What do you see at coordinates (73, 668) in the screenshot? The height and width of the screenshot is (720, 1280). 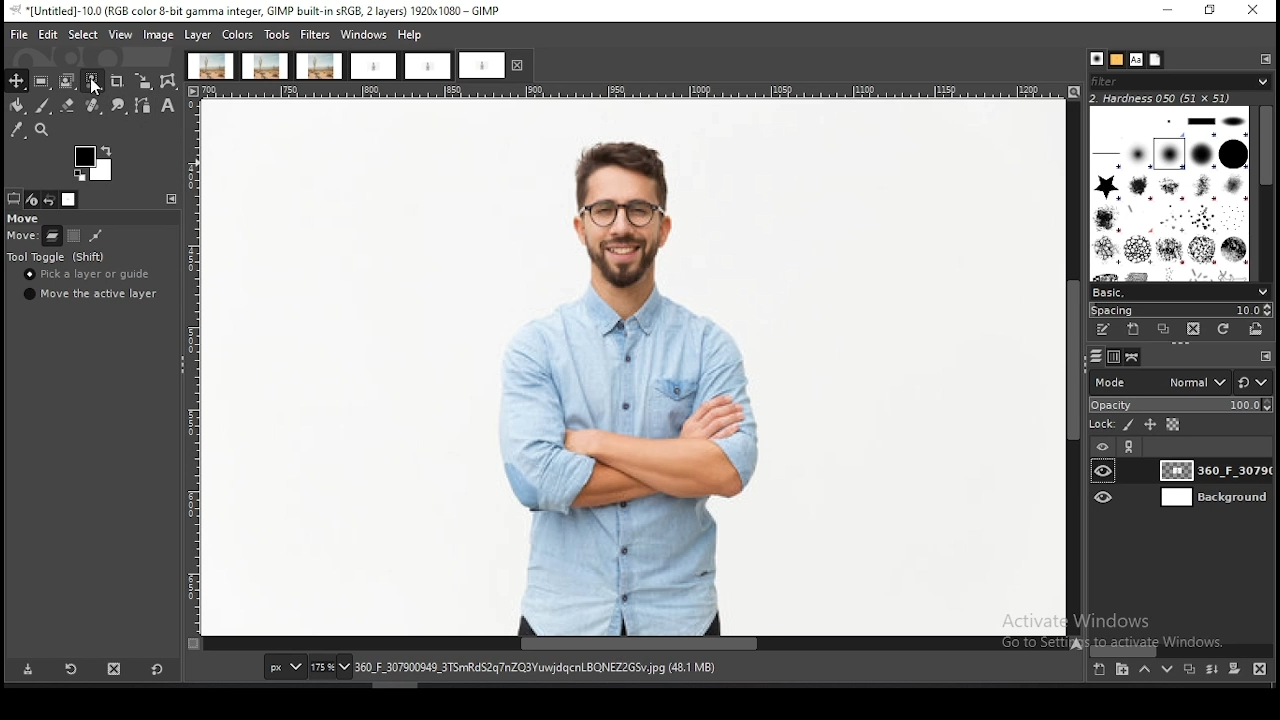 I see `restore tool preset` at bounding box center [73, 668].